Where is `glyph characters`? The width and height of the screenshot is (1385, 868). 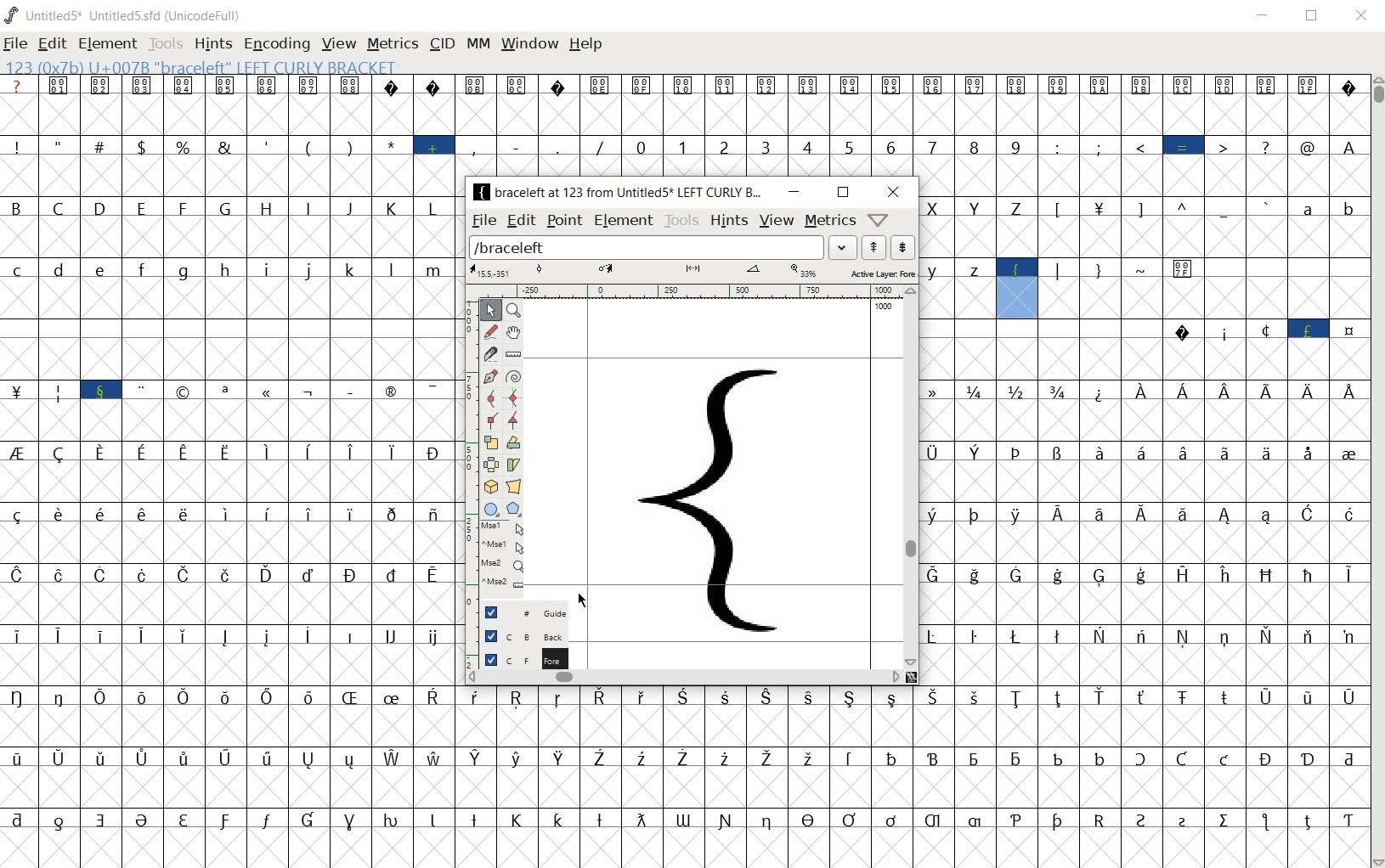 glyph characters is located at coordinates (911, 777).